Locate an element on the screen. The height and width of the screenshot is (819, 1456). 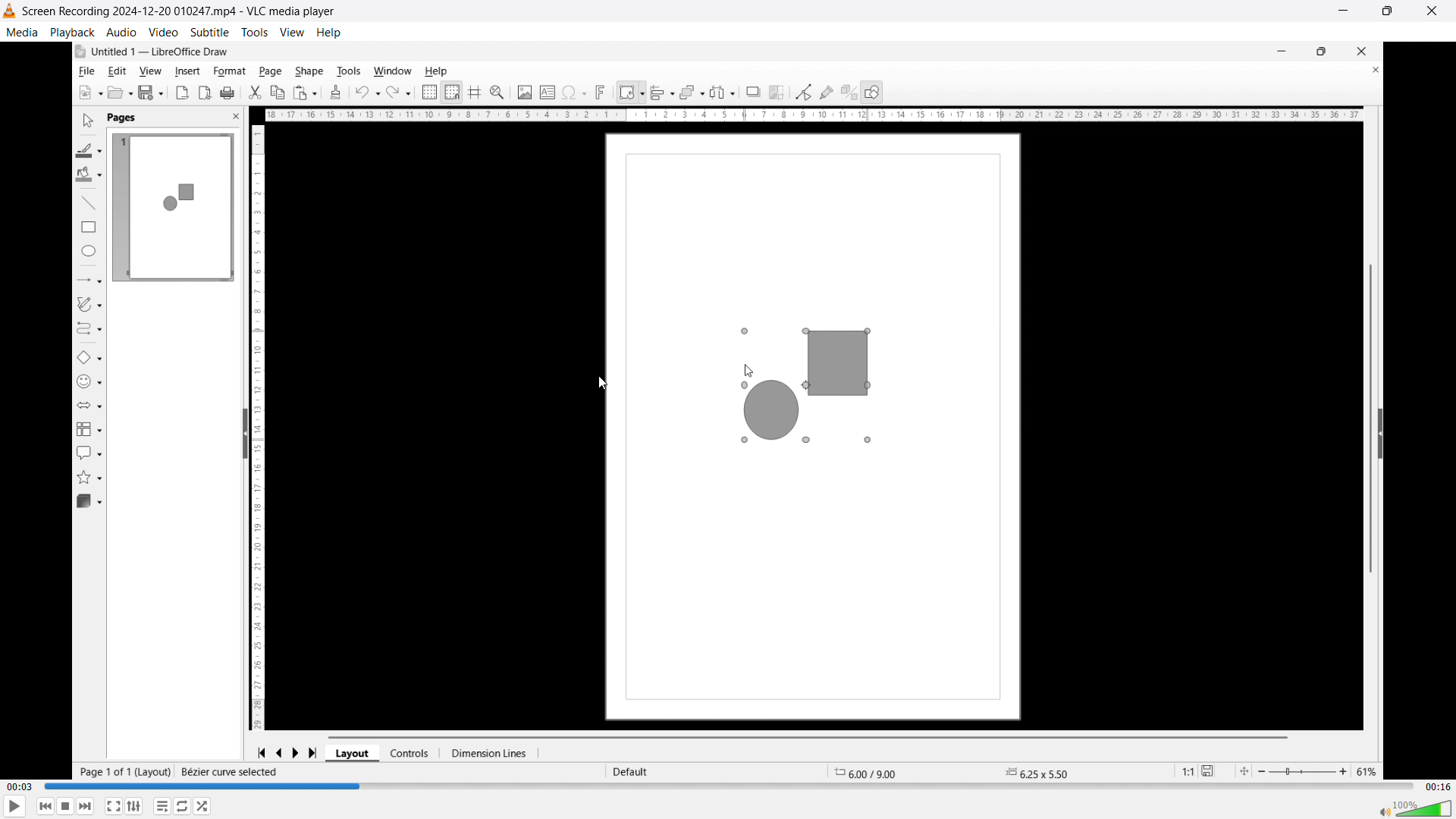
Click to toggle between loop all, loop one, no loop is located at coordinates (182, 807).